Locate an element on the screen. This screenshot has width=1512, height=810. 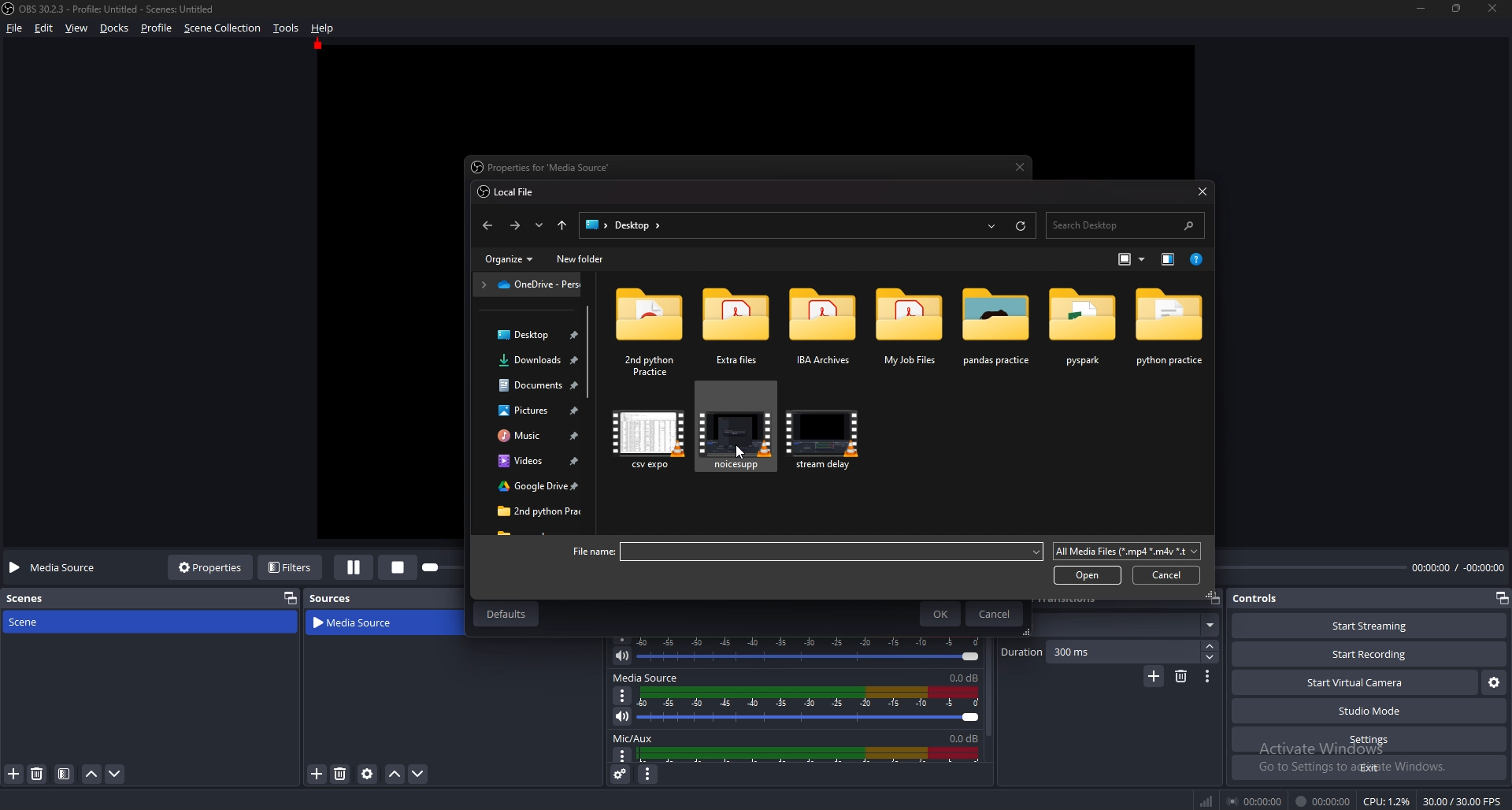
delete scene is located at coordinates (38, 773).